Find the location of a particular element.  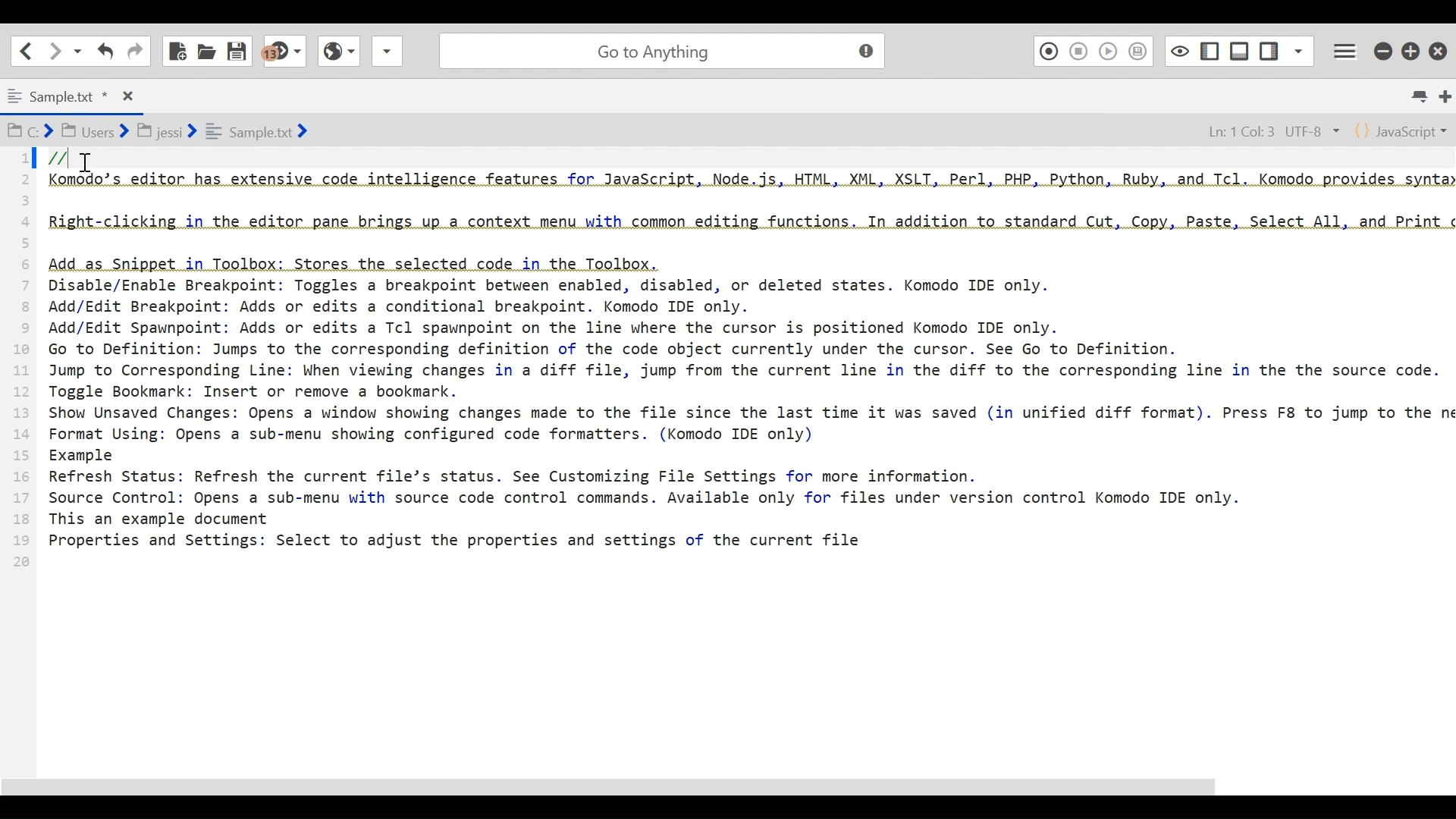

Text Entry Pane is located at coordinates (725, 456).